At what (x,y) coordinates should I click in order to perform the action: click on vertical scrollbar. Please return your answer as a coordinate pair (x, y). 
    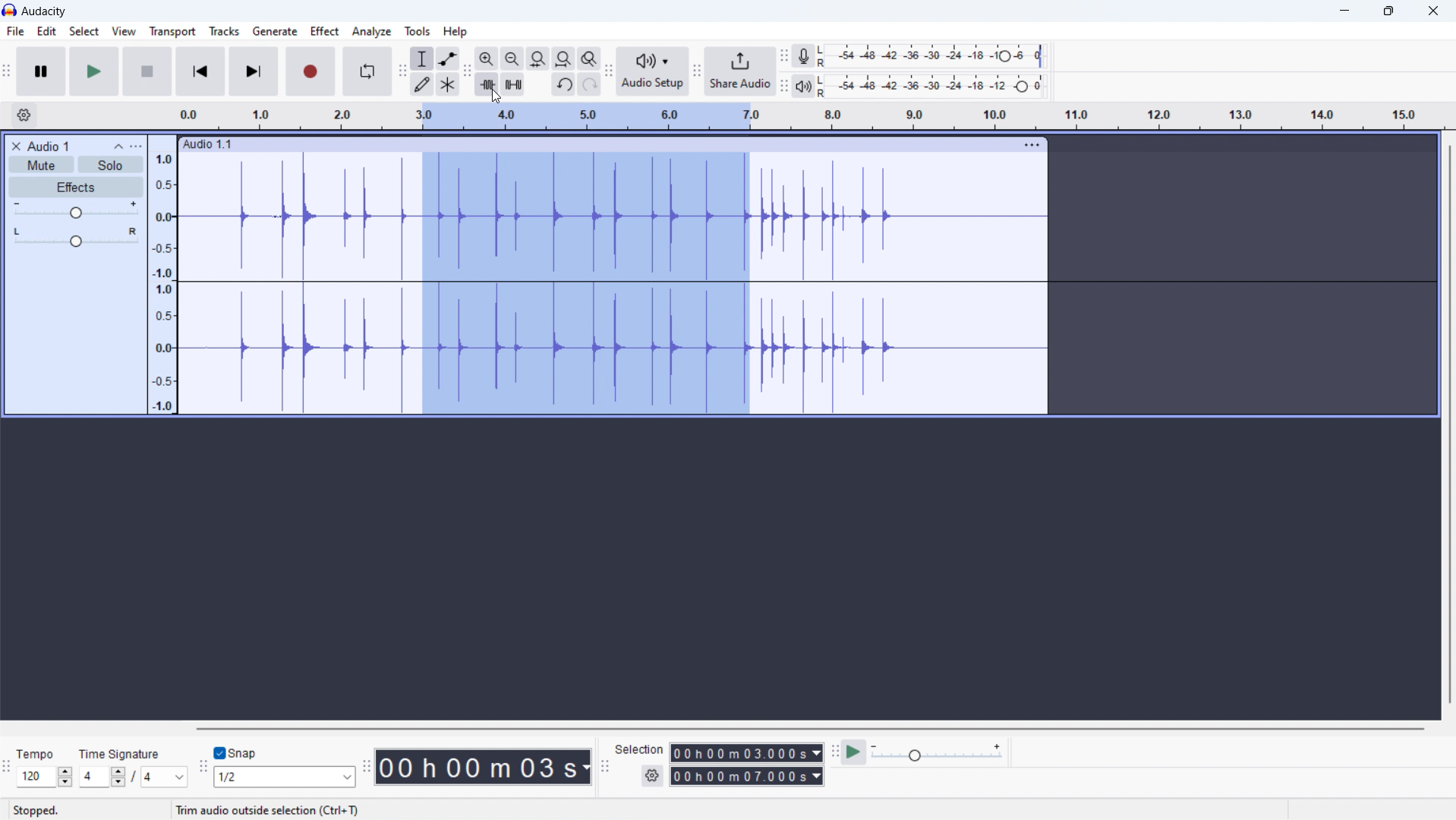
    Looking at the image, I should click on (1448, 424).